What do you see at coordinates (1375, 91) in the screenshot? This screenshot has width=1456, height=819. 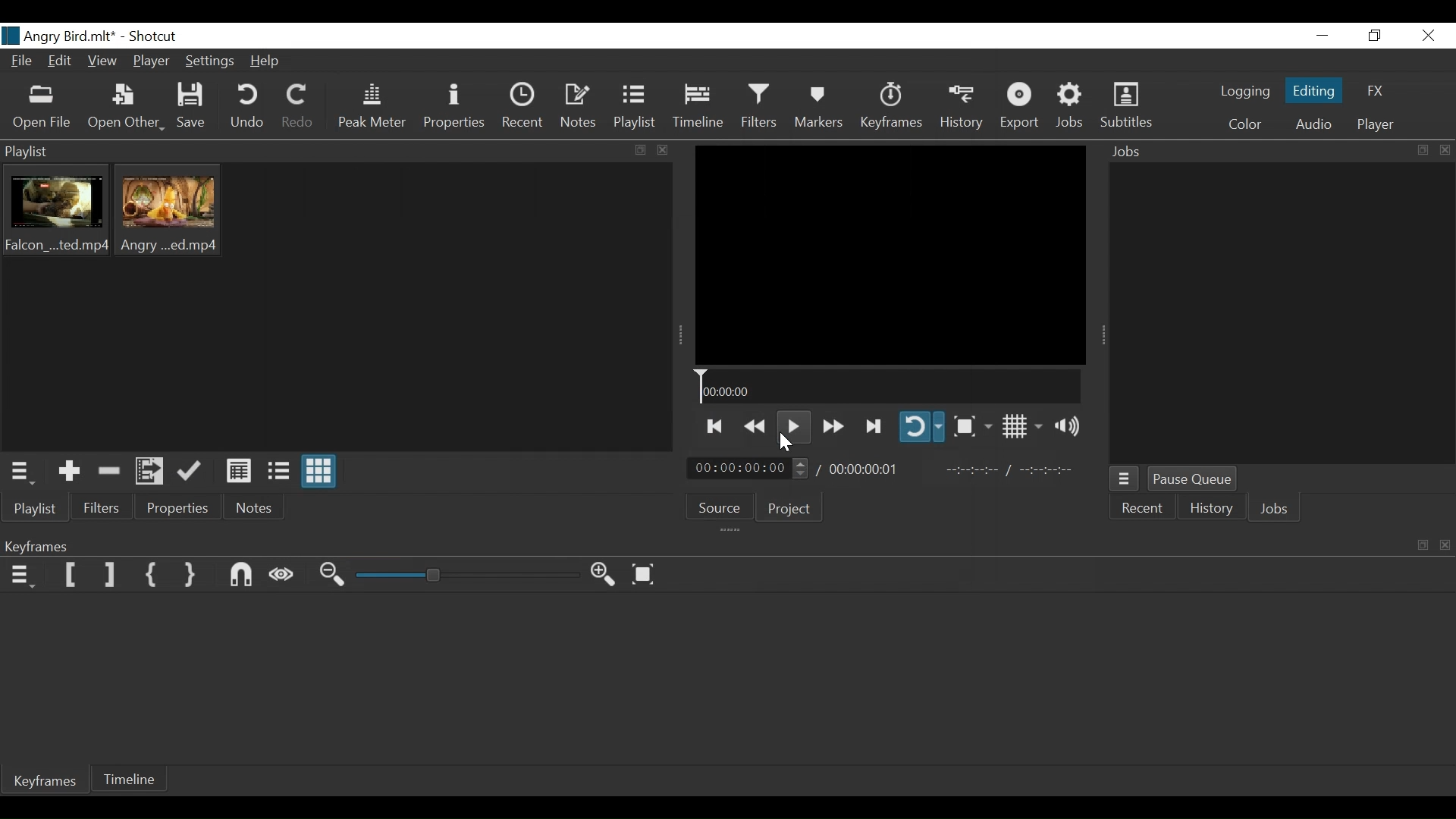 I see `FX` at bounding box center [1375, 91].